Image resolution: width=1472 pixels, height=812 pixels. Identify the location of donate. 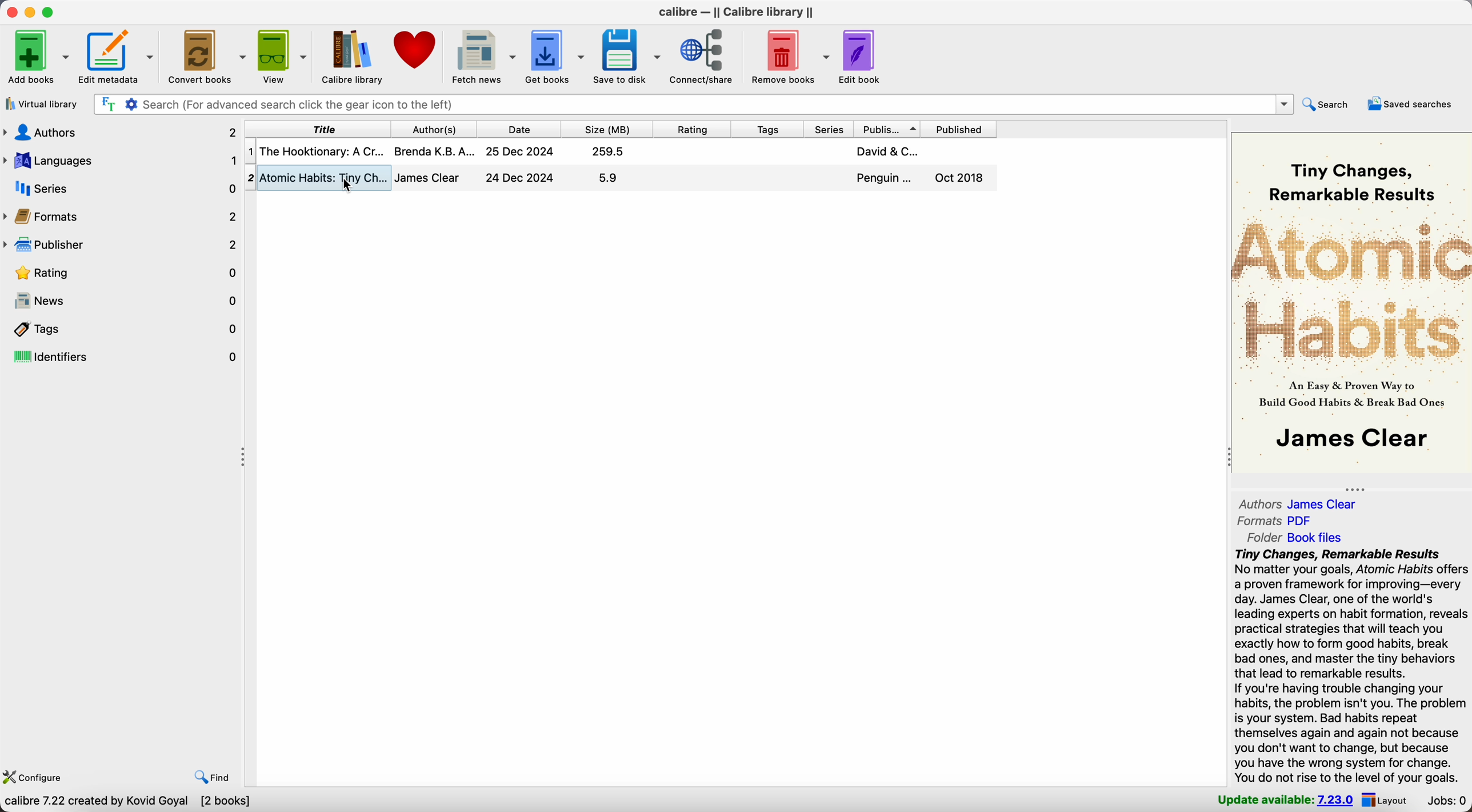
(417, 55).